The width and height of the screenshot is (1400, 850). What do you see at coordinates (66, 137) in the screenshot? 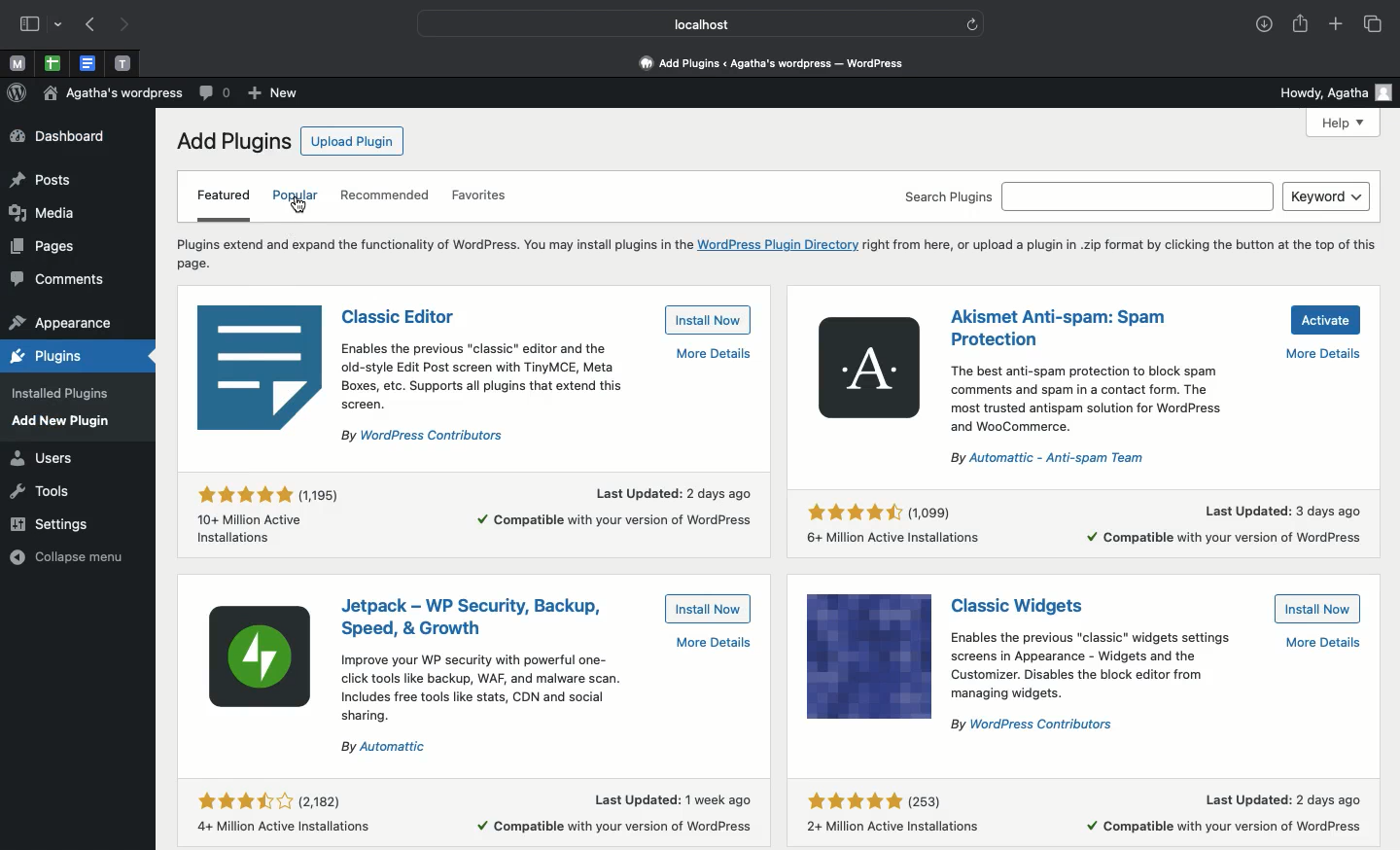
I see `Dashboard` at bounding box center [66, 137].